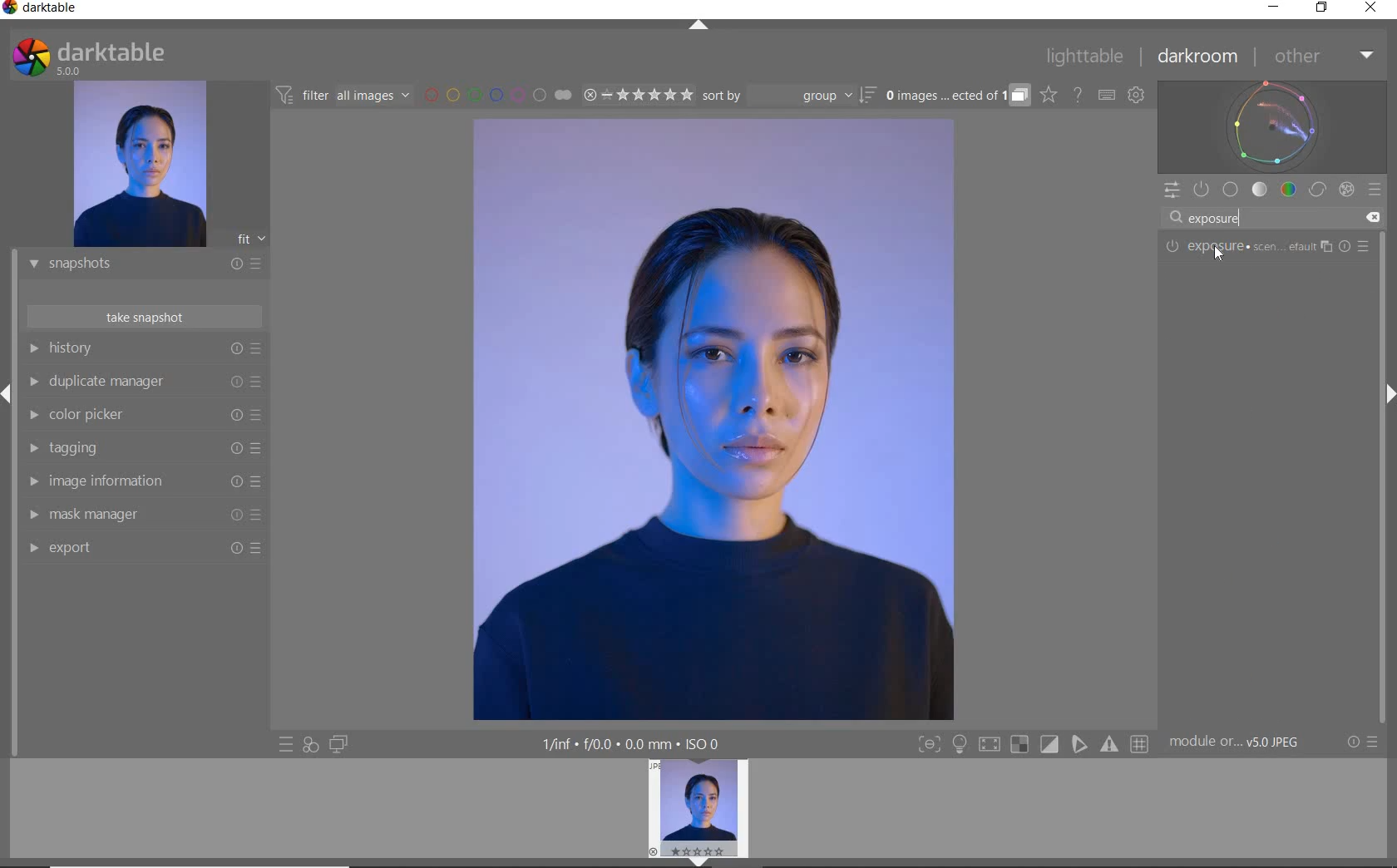 Image resolution: width=1397 pixels, height=868 pixels. Describe the element at coordinates (1270, 247) in the screenshot. I see `EXPOSURE` at that location.